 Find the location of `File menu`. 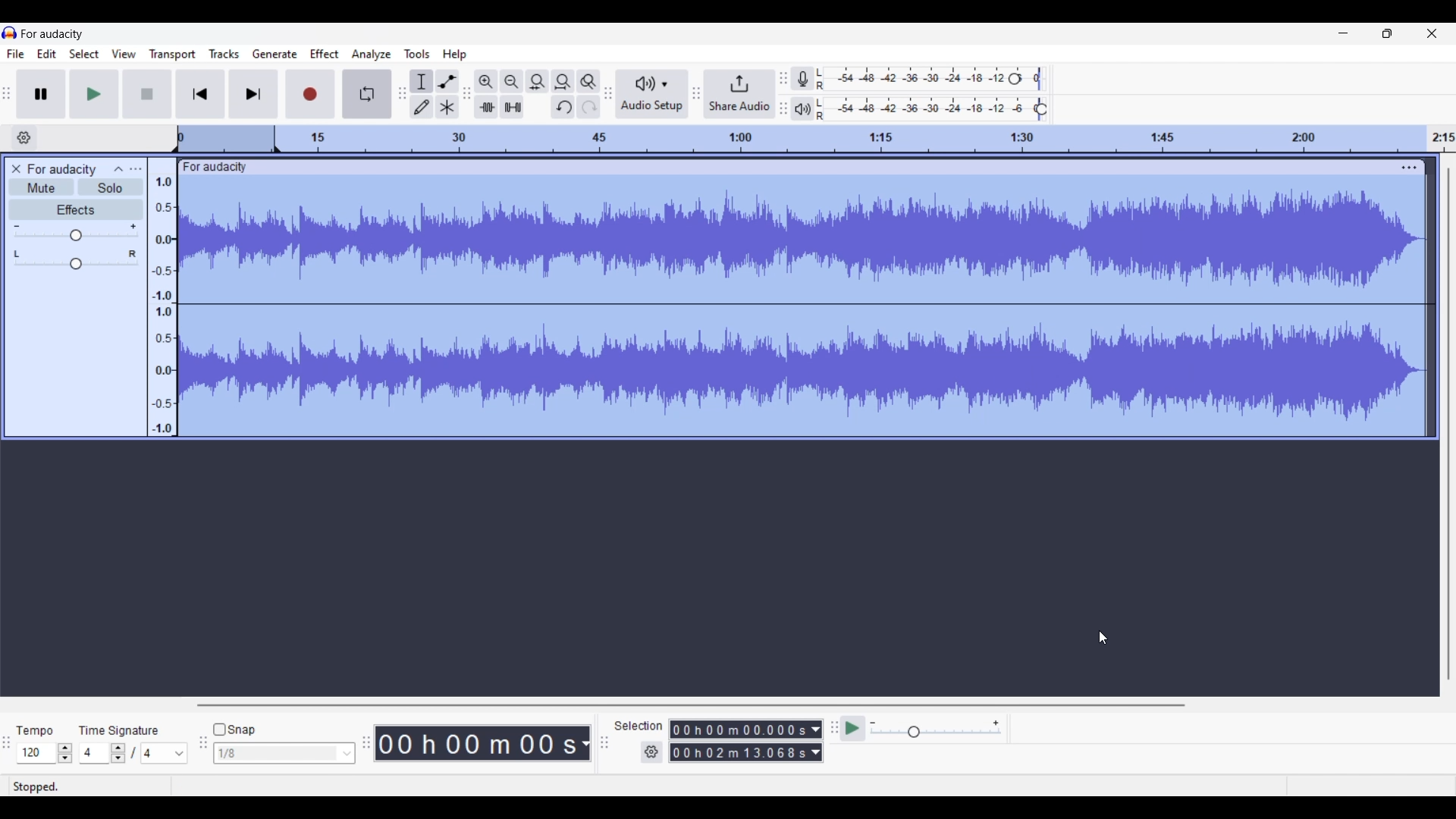

File menu is located at coordinates (15, 55).